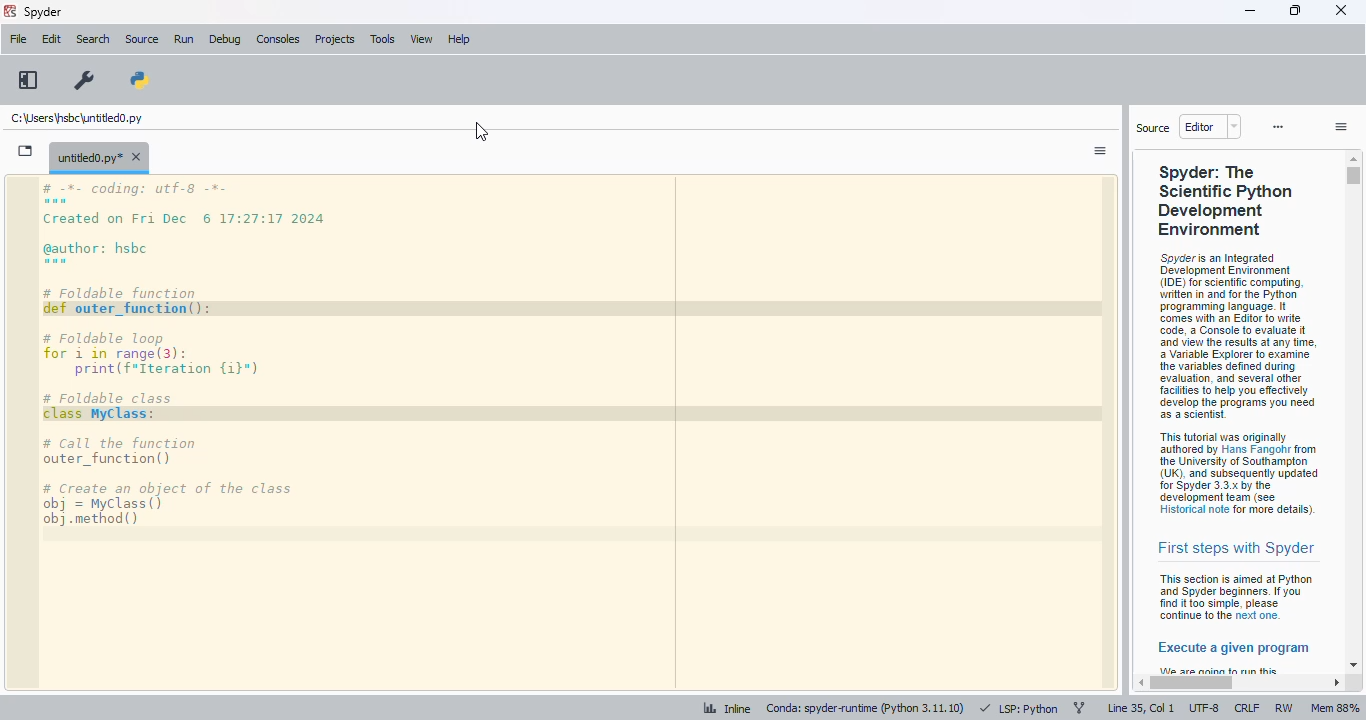  I want to click on line 35, col 1, so click(1141, 709).